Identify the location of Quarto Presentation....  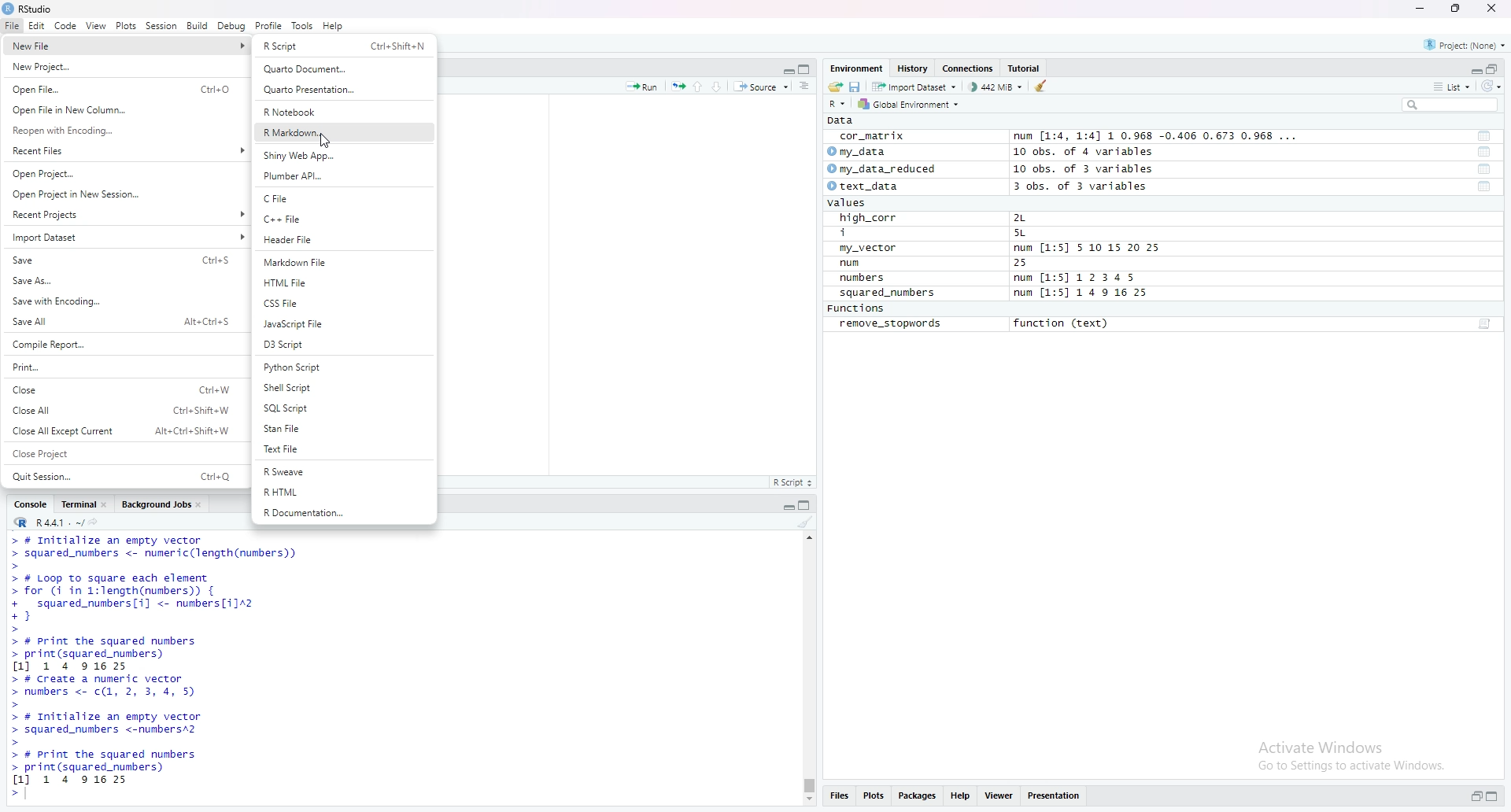
(342, 90).